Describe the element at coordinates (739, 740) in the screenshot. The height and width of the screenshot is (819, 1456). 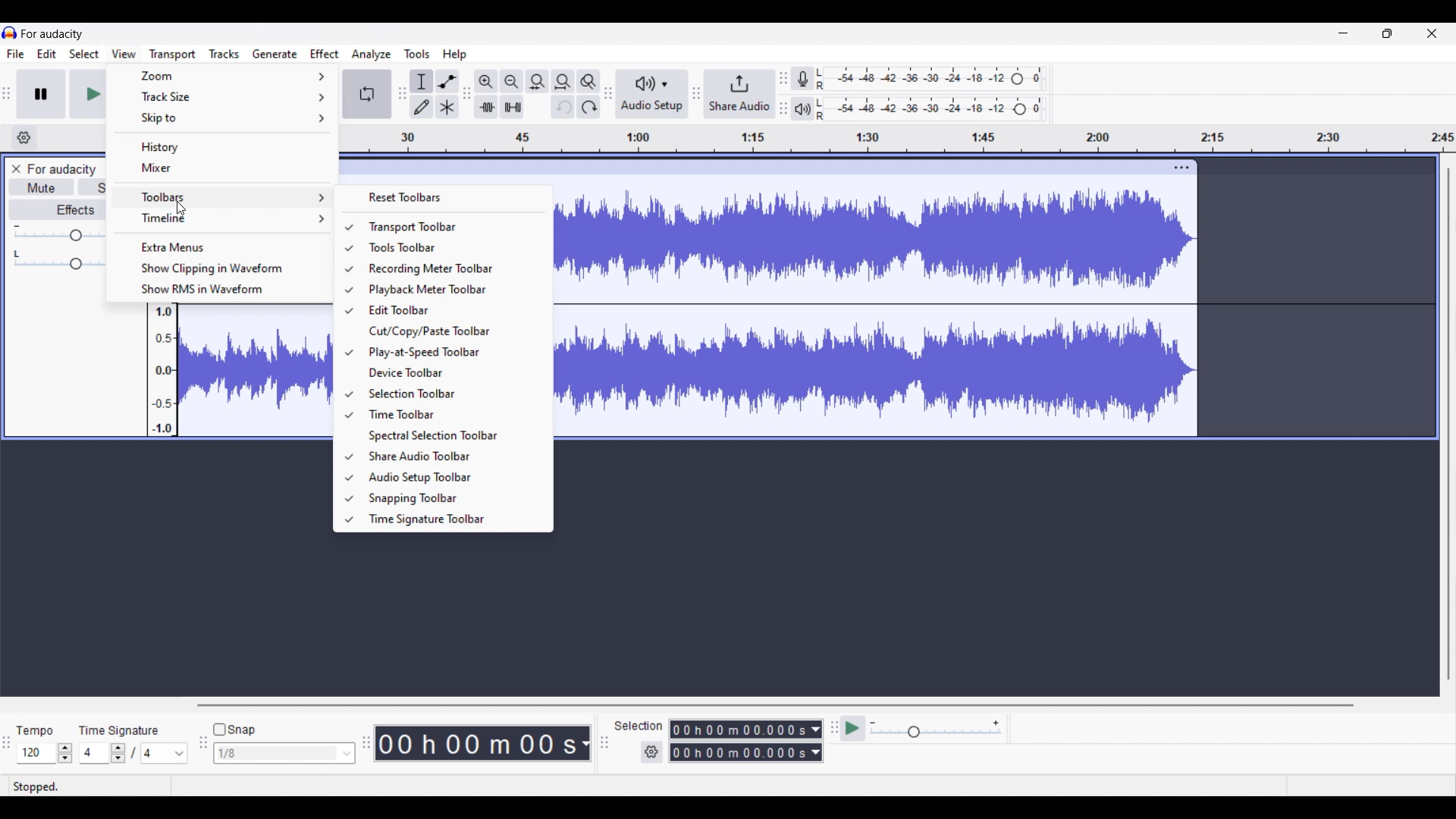
I see `Selection duration` at that location.